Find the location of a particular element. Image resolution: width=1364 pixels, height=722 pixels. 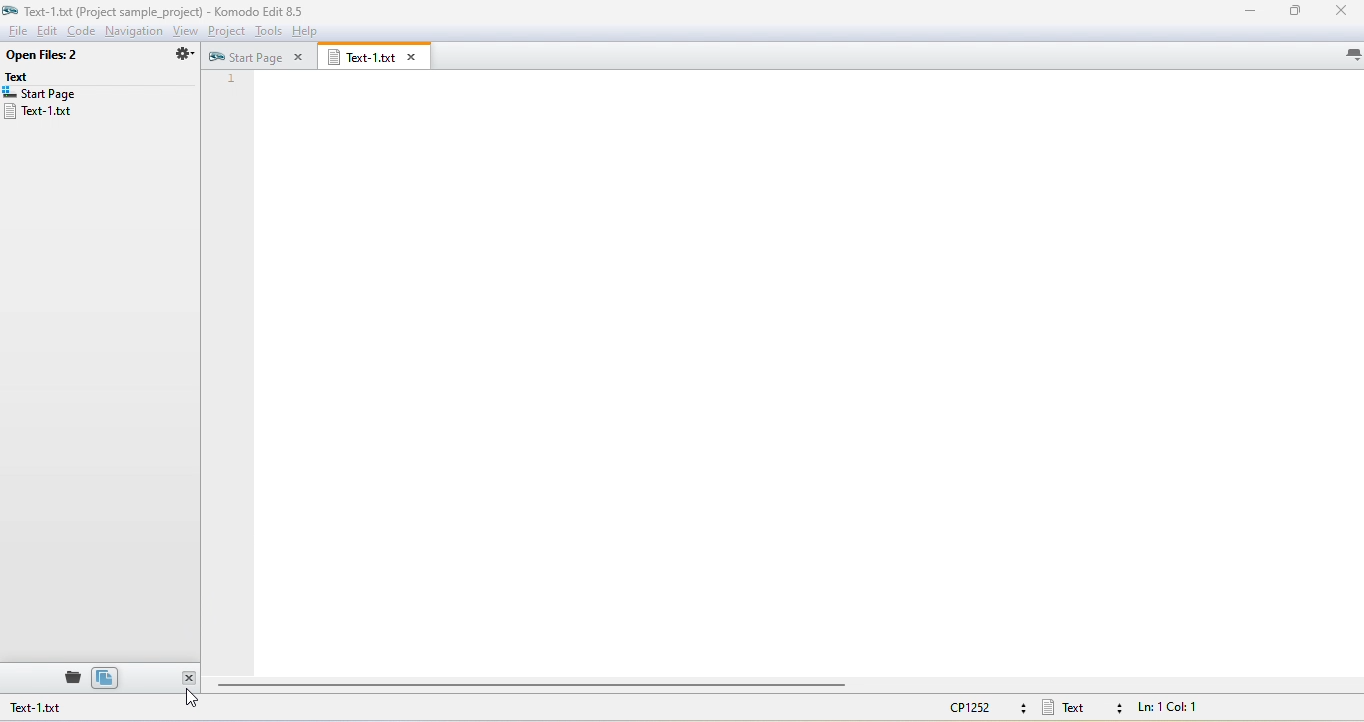

close tab is located at coordinates (412, 57).